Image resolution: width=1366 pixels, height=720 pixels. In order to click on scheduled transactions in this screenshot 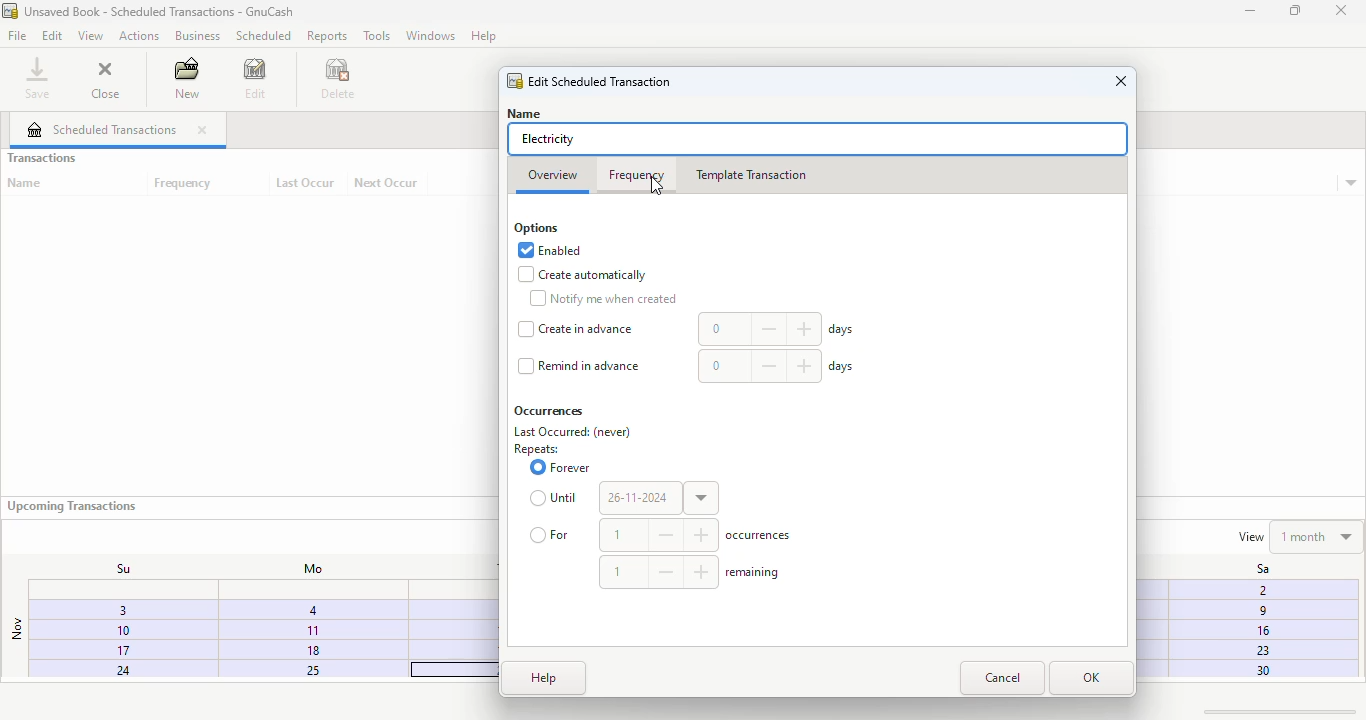, I will do `click(102, 129)`.